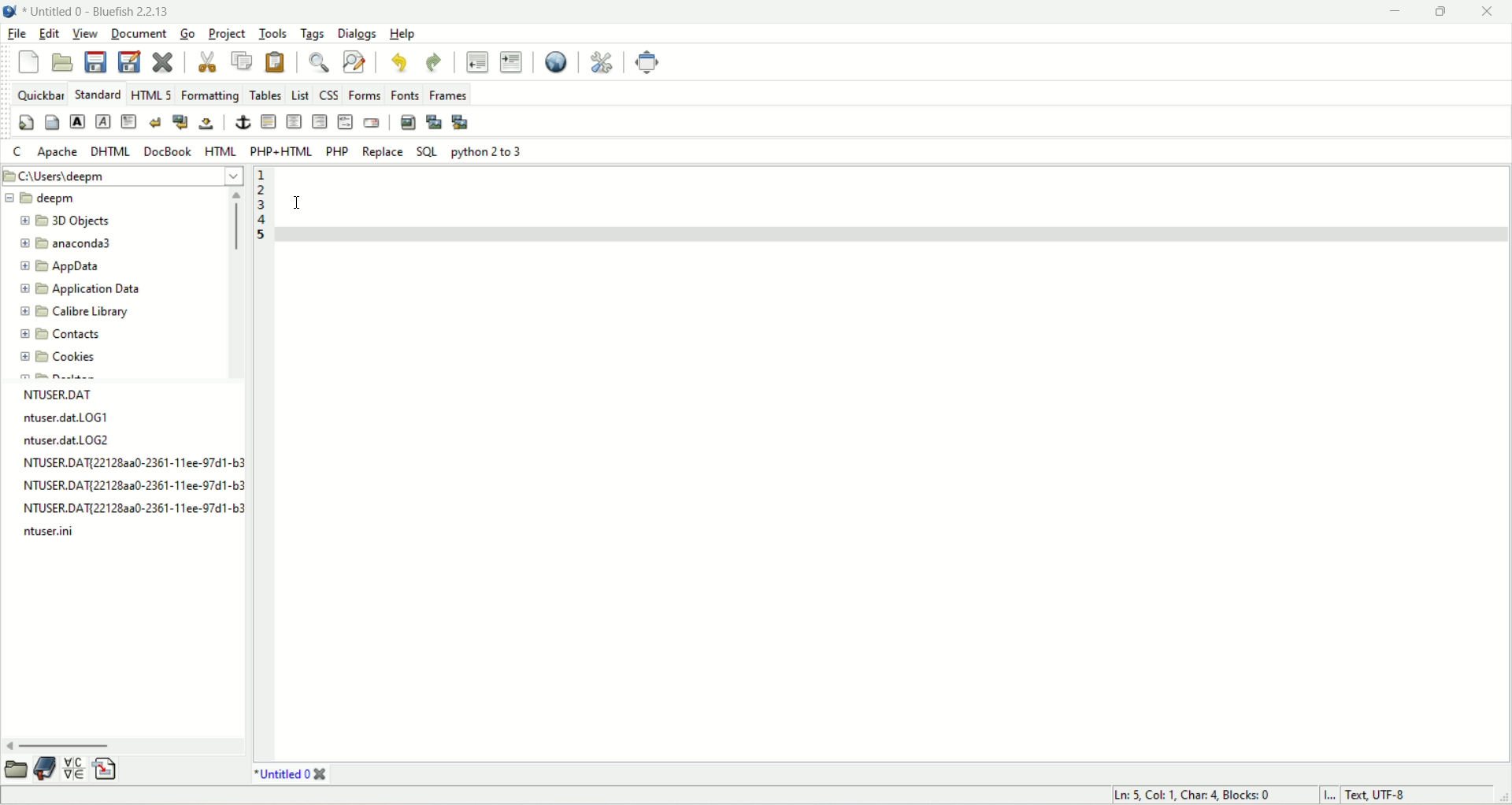 The image size is (1512, 805). I want to click on paste, so click(275, 60).